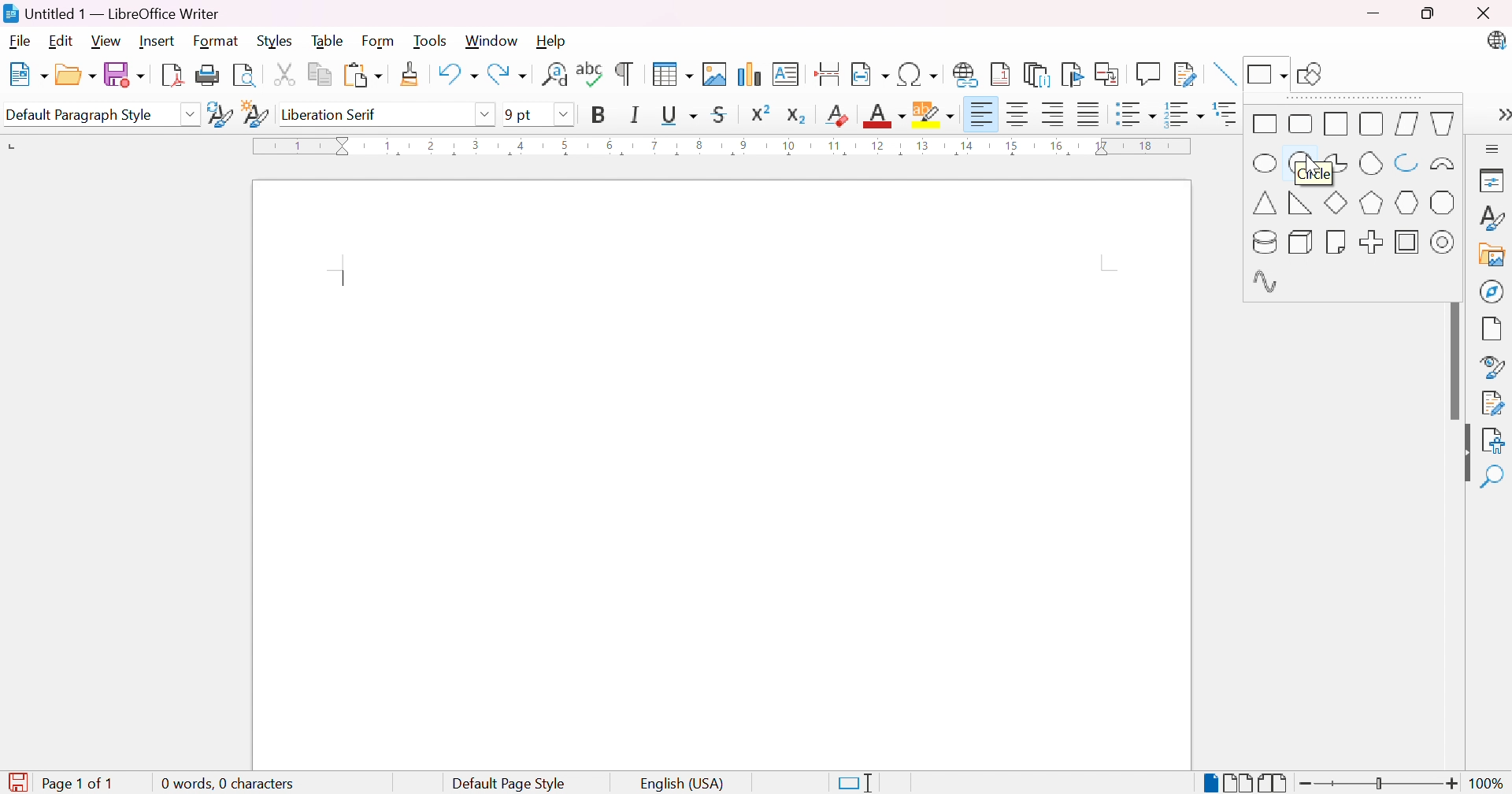 This screenshot has height=794, width=1512. What do you see at coordinates (1299, 242) in the screenshot?
I see `Cuboid` at bounding box center [1299, 242].